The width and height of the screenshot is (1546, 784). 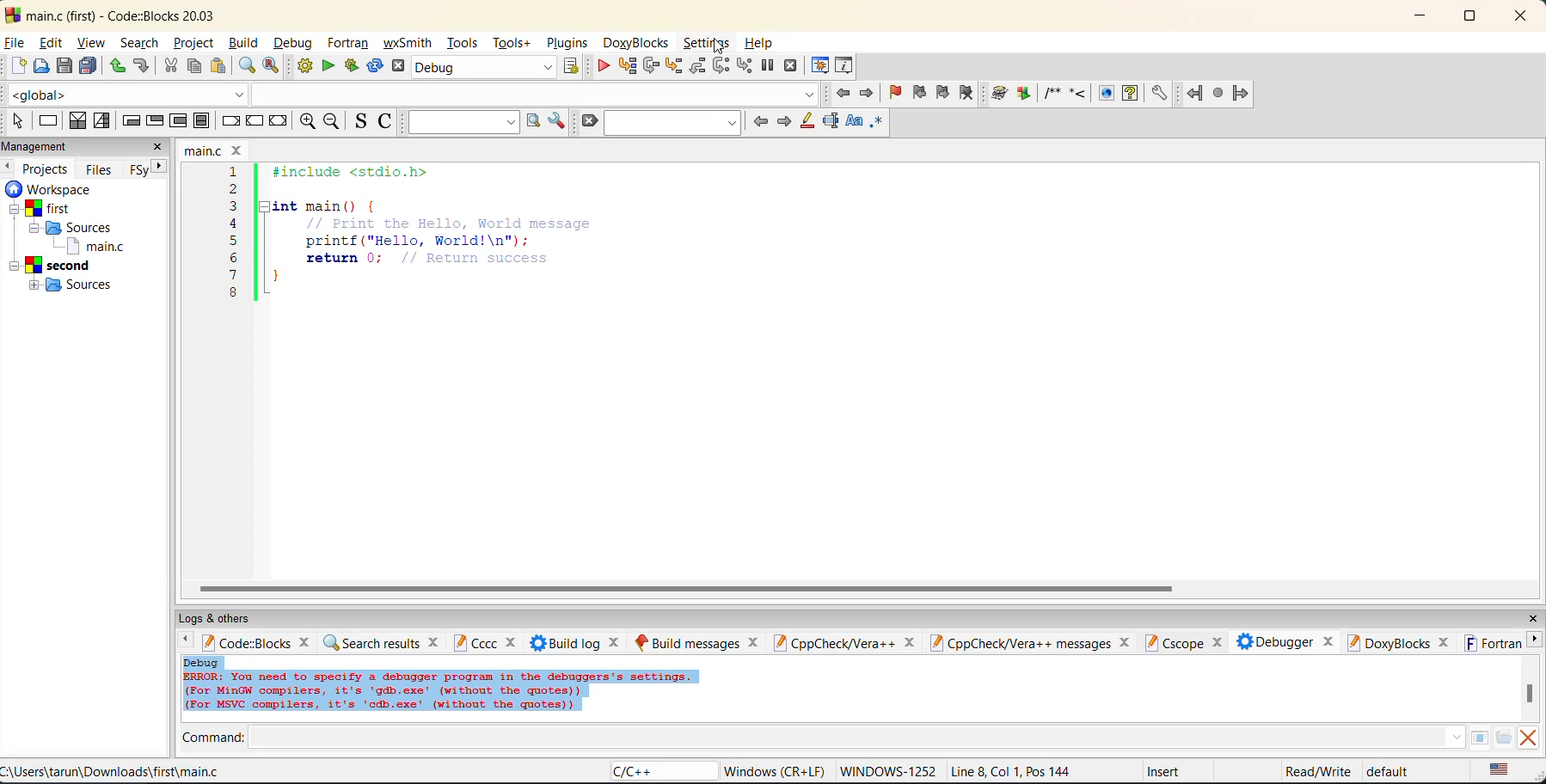 What do you see at coordinates (448, 246) in the screenshot?
I see `1  #include <stdio.h>2 3 |Hint main() { 4 // Print the Hello, World message 5 printf("Hello, World!\n"); 6 return 0; // Return success }8` at bounding box center [448, 246].